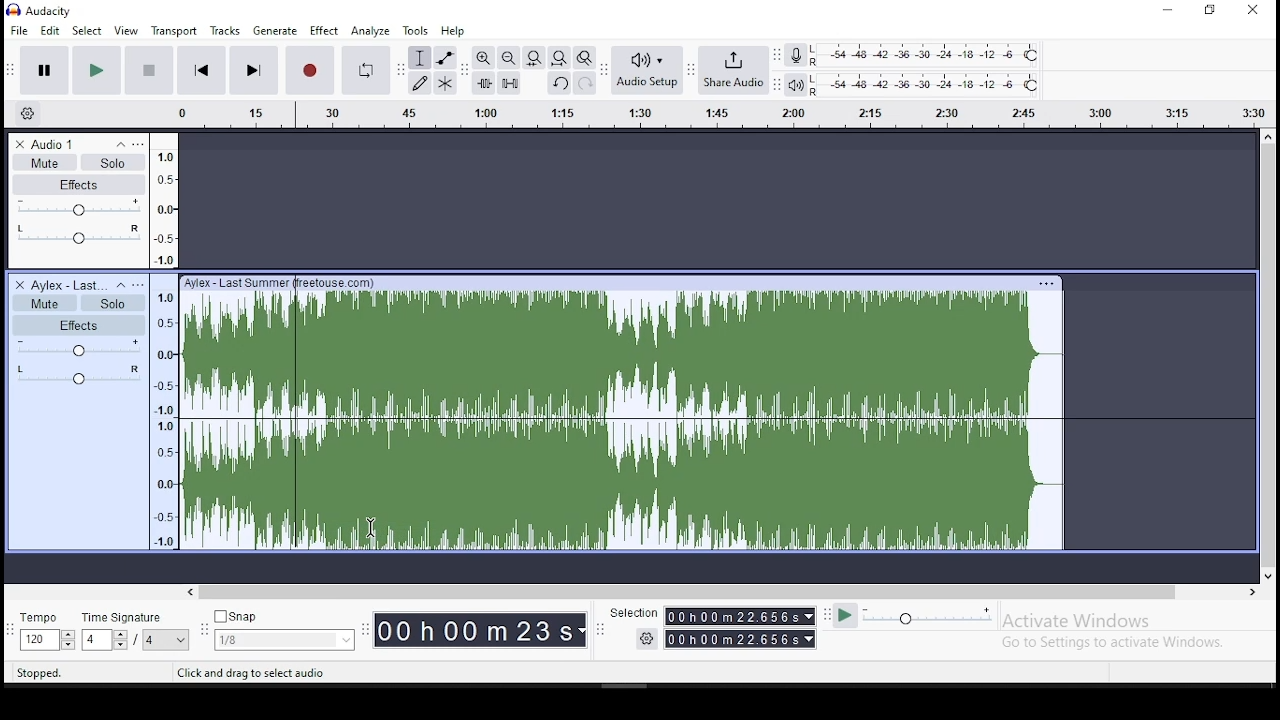 This screenshot has height=720, width=1280. What do you see at coordinates (277, 29) in the screenshot?
I see `generate` at bounding box center [277, 29].